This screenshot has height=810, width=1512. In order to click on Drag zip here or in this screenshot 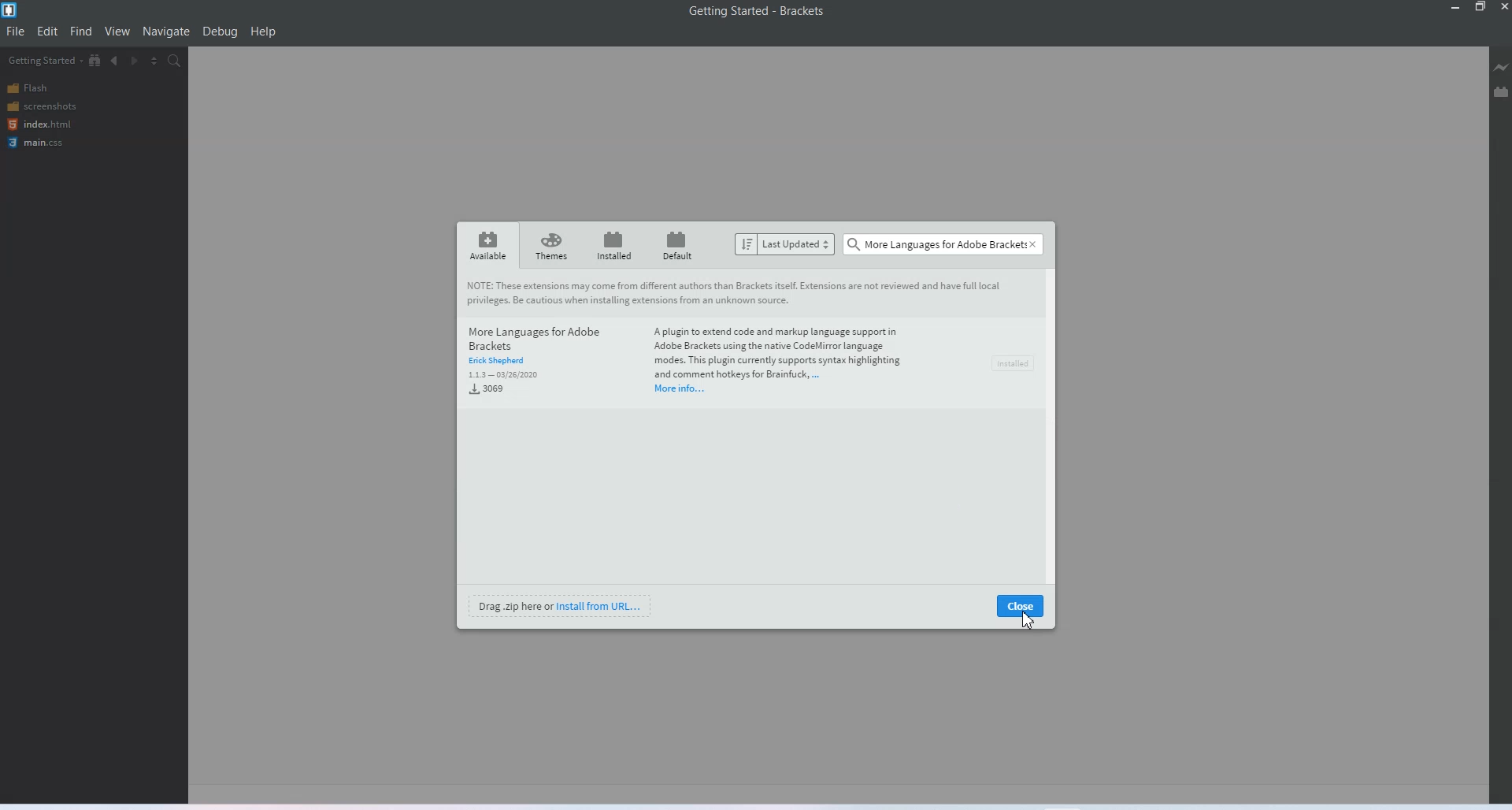, I will do `click(513, 605)`.